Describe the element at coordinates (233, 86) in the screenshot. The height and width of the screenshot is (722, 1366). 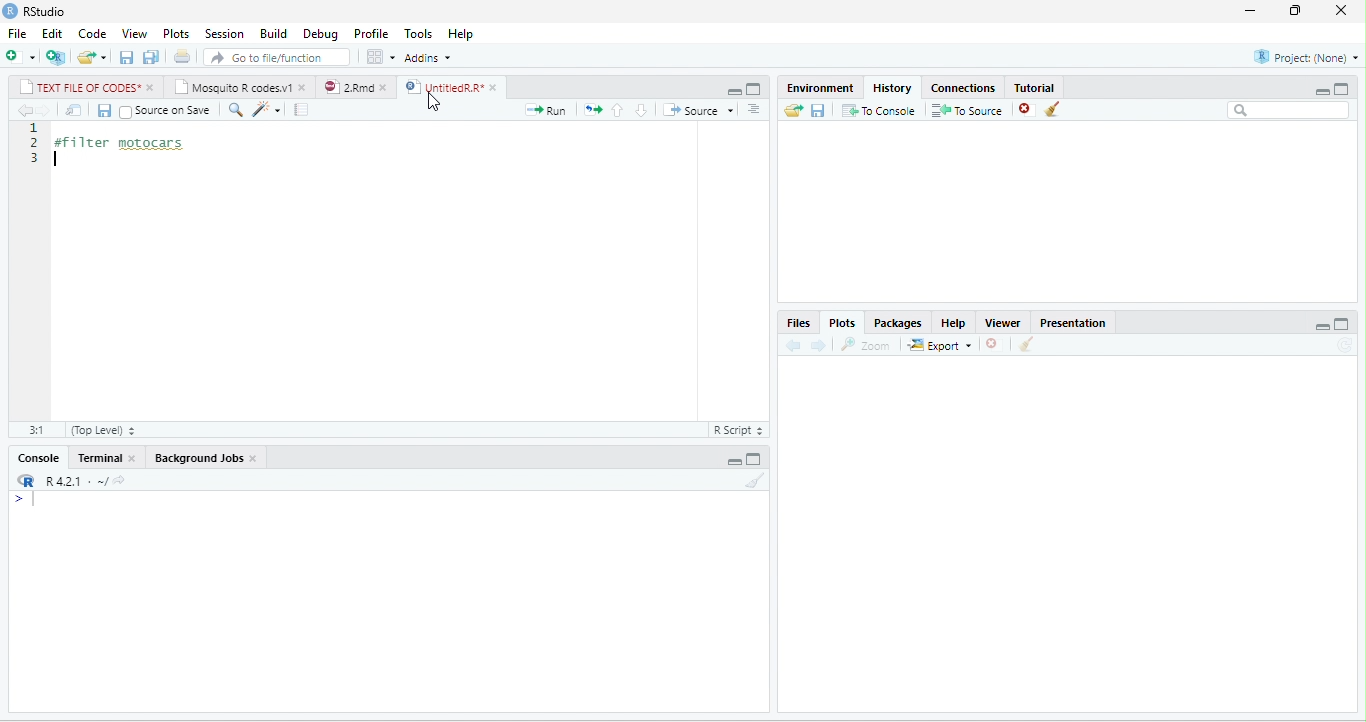
I see `Mosquito R codes.v1` at that location.